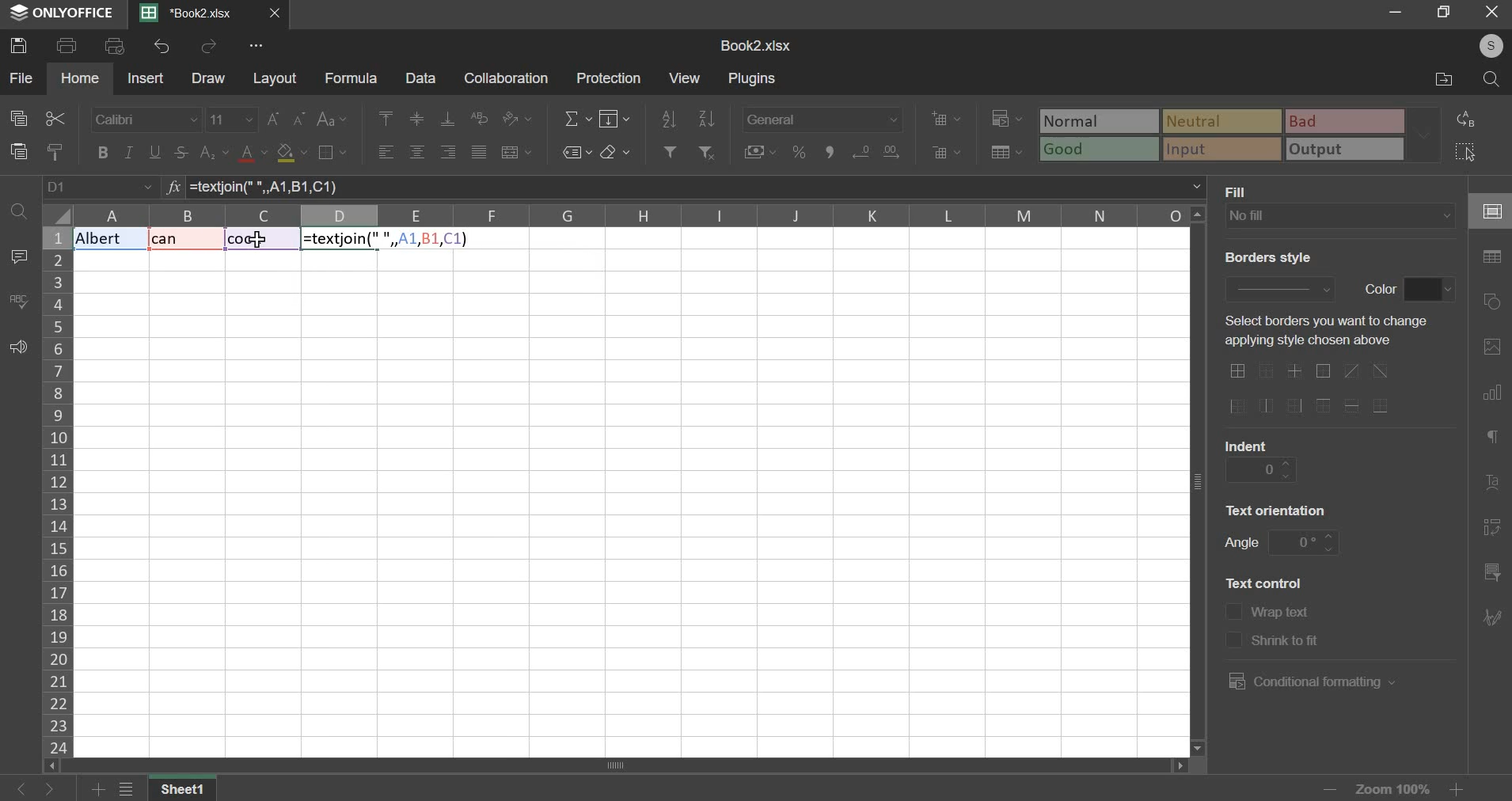 This screenshot has width=1512, height=801. Describe the element at coordinates (1491, 617) in the screenshot. I see `signature` at that location.